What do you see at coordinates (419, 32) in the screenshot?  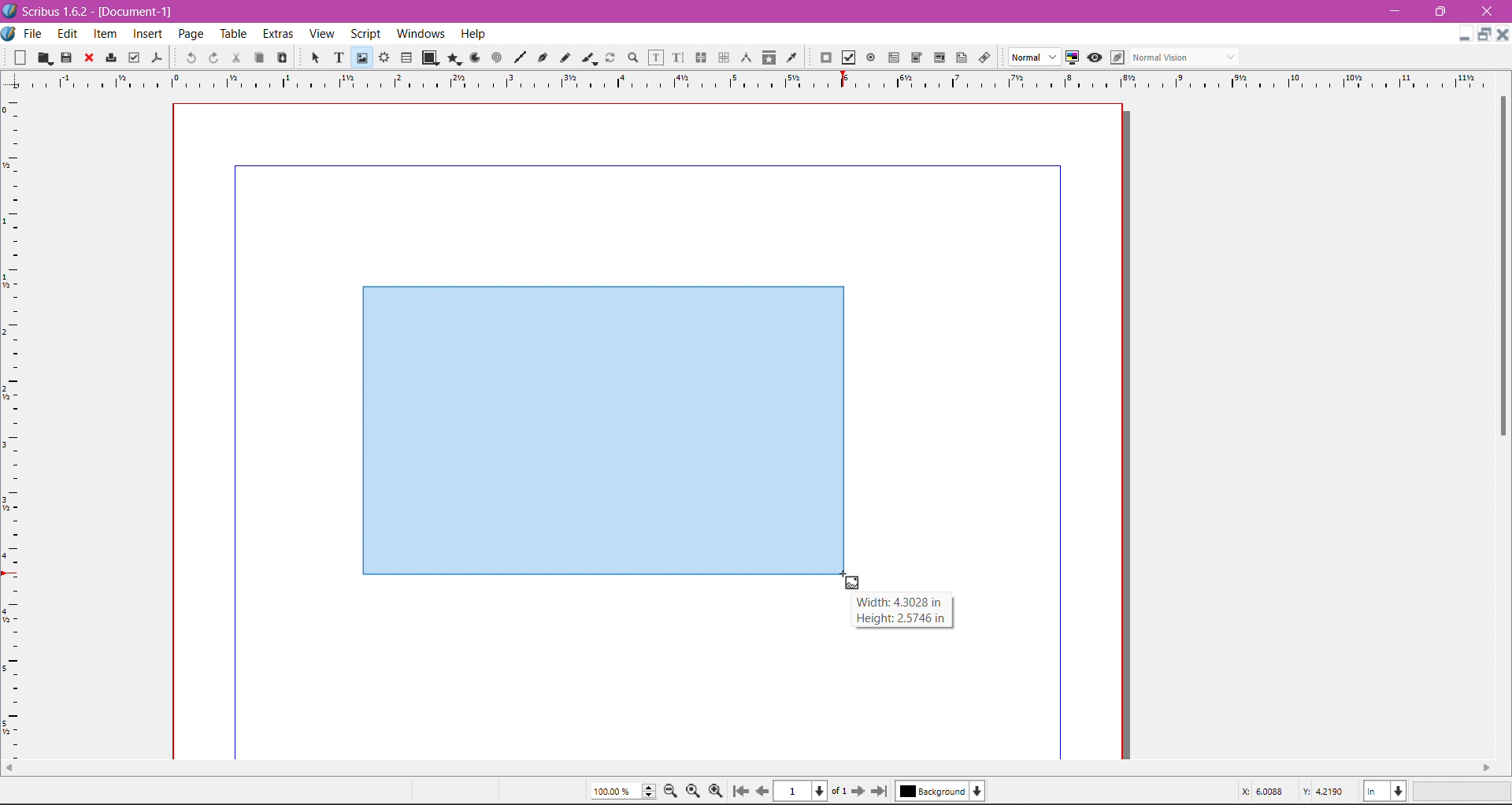 I see `Windows` at bounding box center [419, 32].